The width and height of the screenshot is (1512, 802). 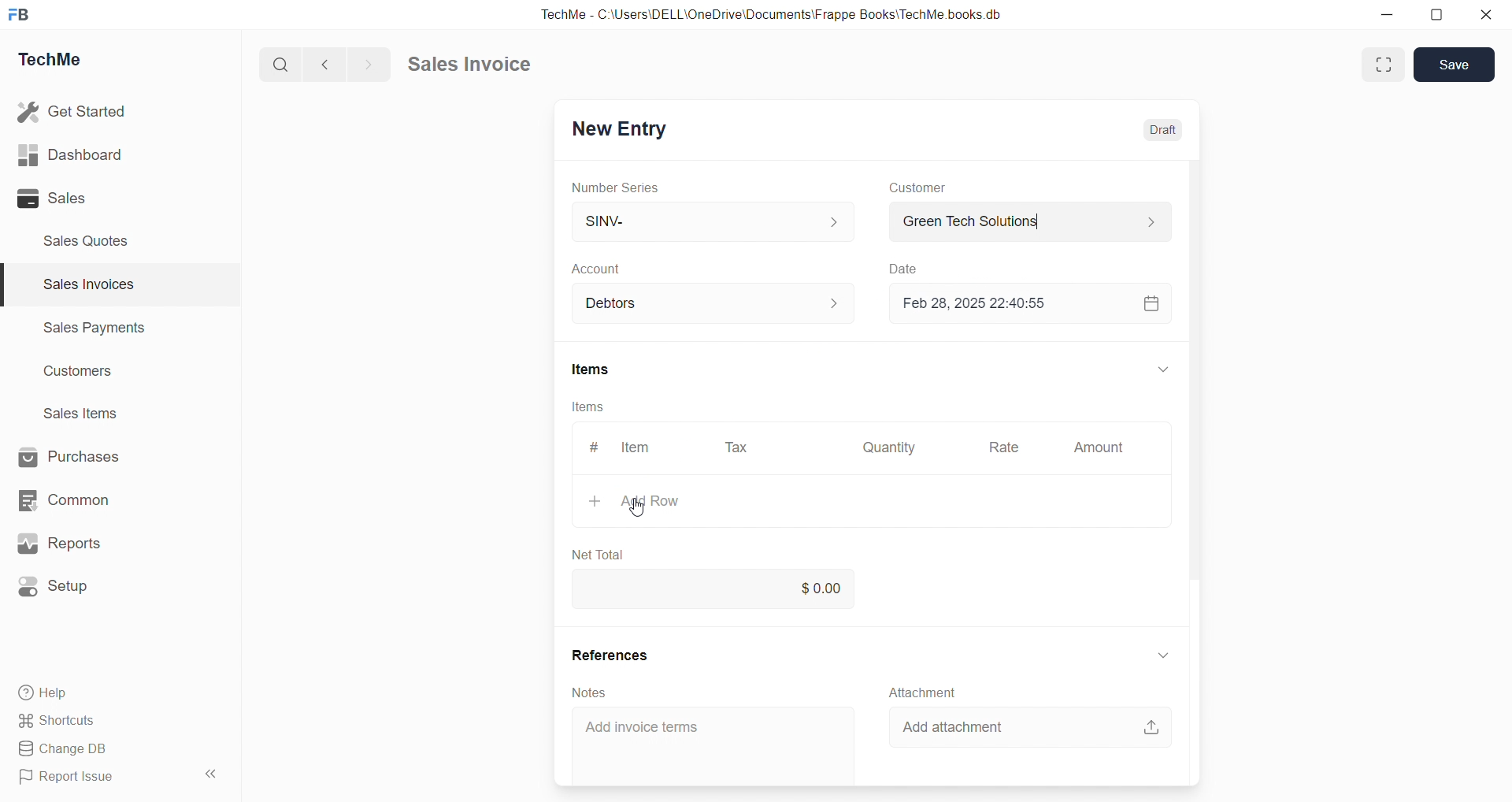 I want to click on Get Started, so click(x=73, y=111).